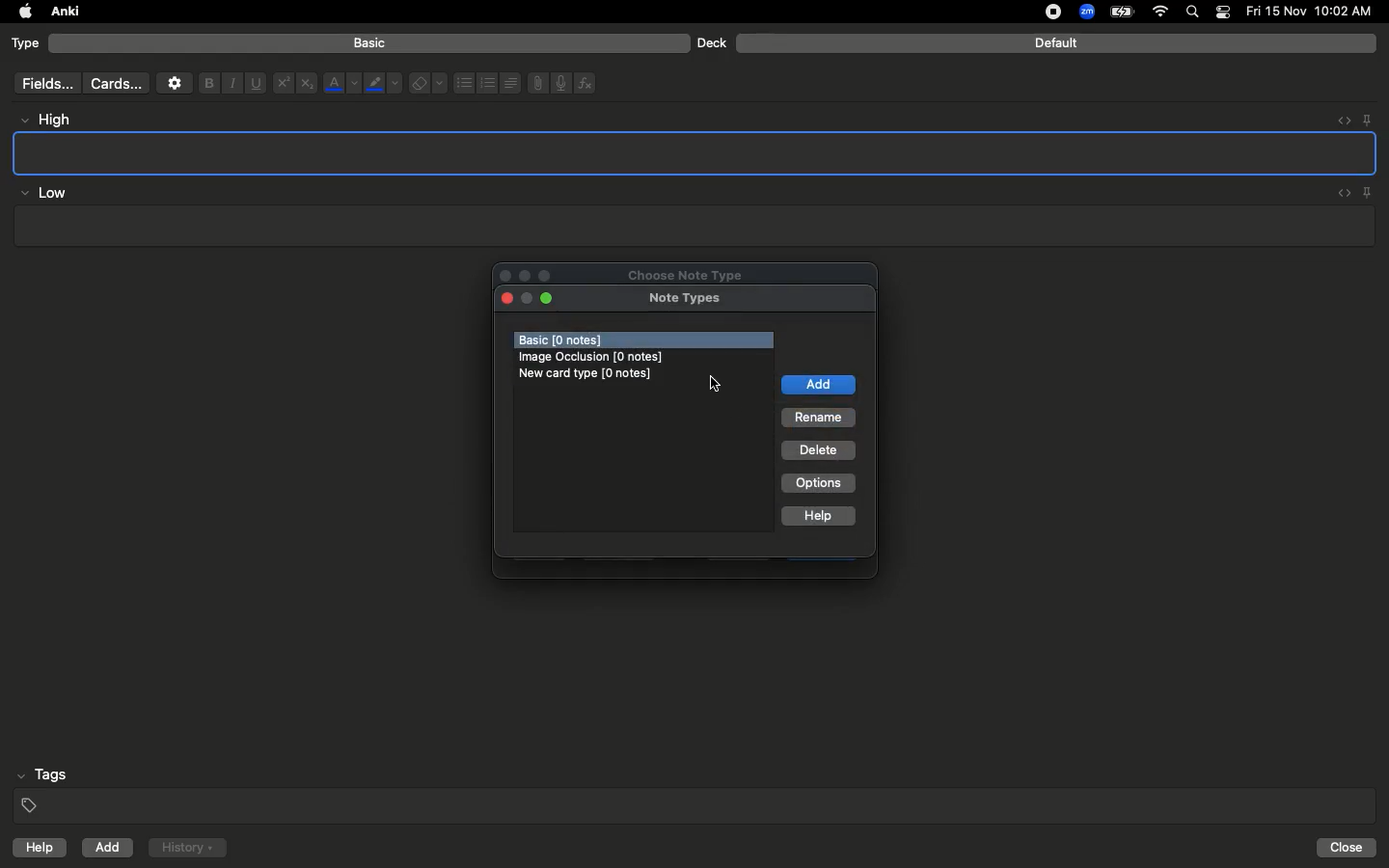  I want to click on Cards, so click(116, 84).